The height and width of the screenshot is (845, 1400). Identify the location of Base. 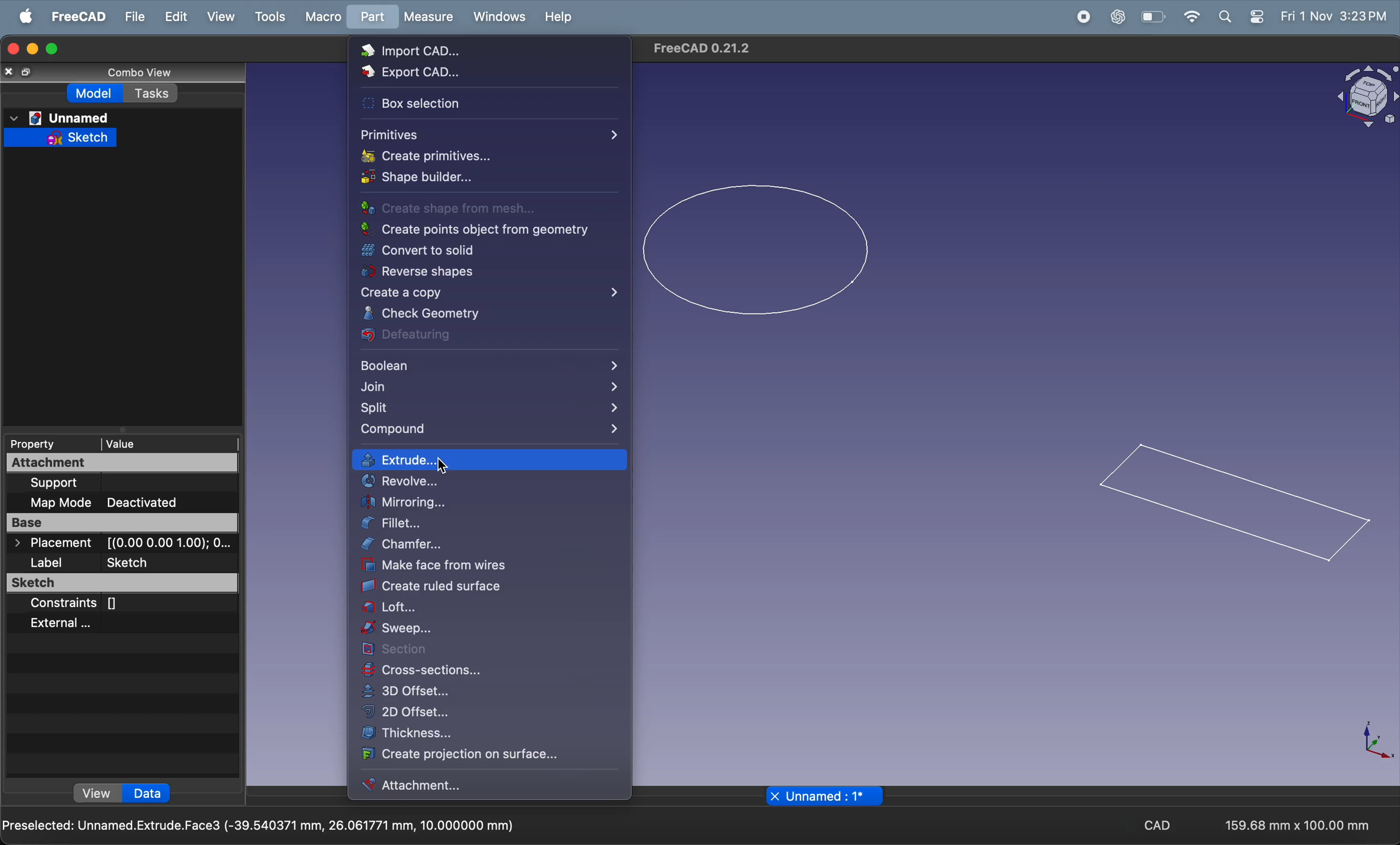
(122, 523).